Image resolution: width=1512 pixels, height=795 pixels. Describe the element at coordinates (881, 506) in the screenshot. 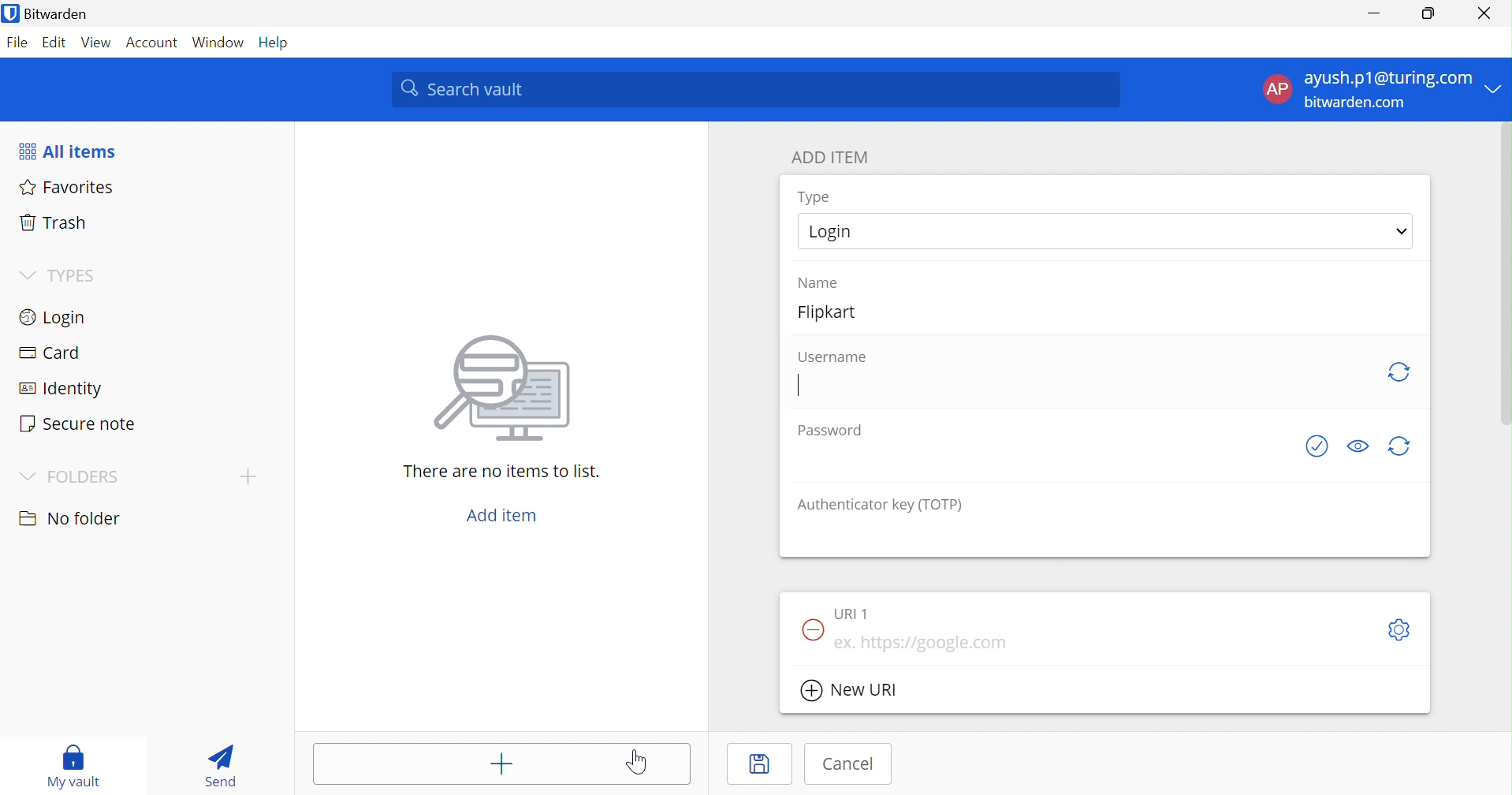

I see `Authenticator key (TOTP)` at that location.